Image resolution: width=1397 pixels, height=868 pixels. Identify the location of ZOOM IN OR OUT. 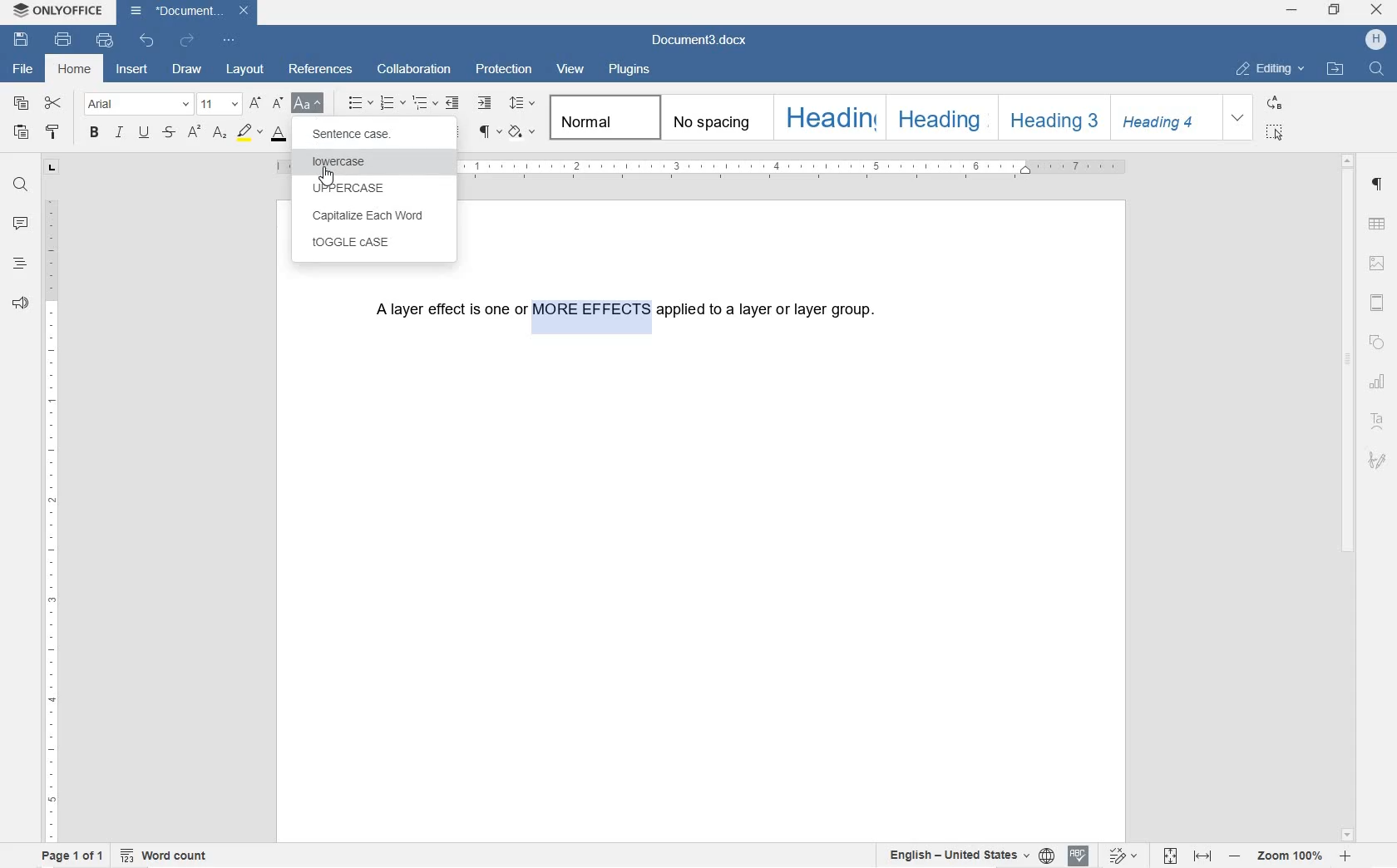
(1291, 858).